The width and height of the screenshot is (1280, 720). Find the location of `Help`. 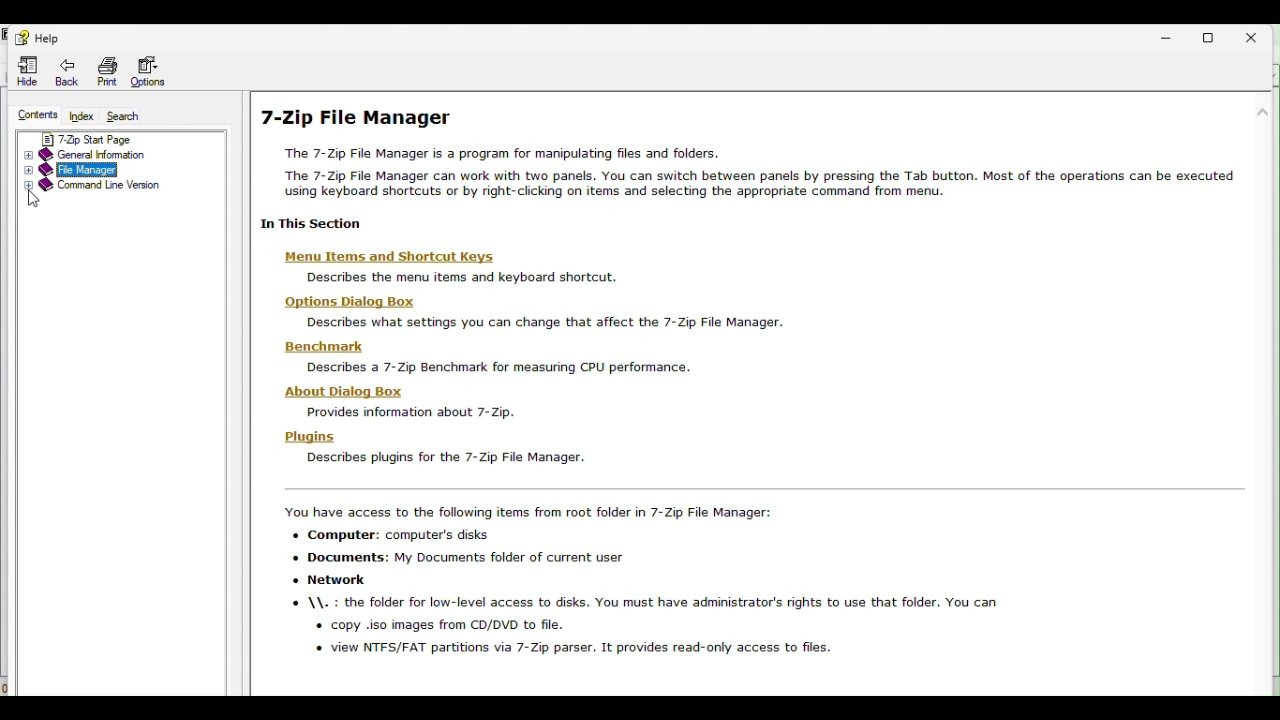

Help is located at coordinates (46, 38).